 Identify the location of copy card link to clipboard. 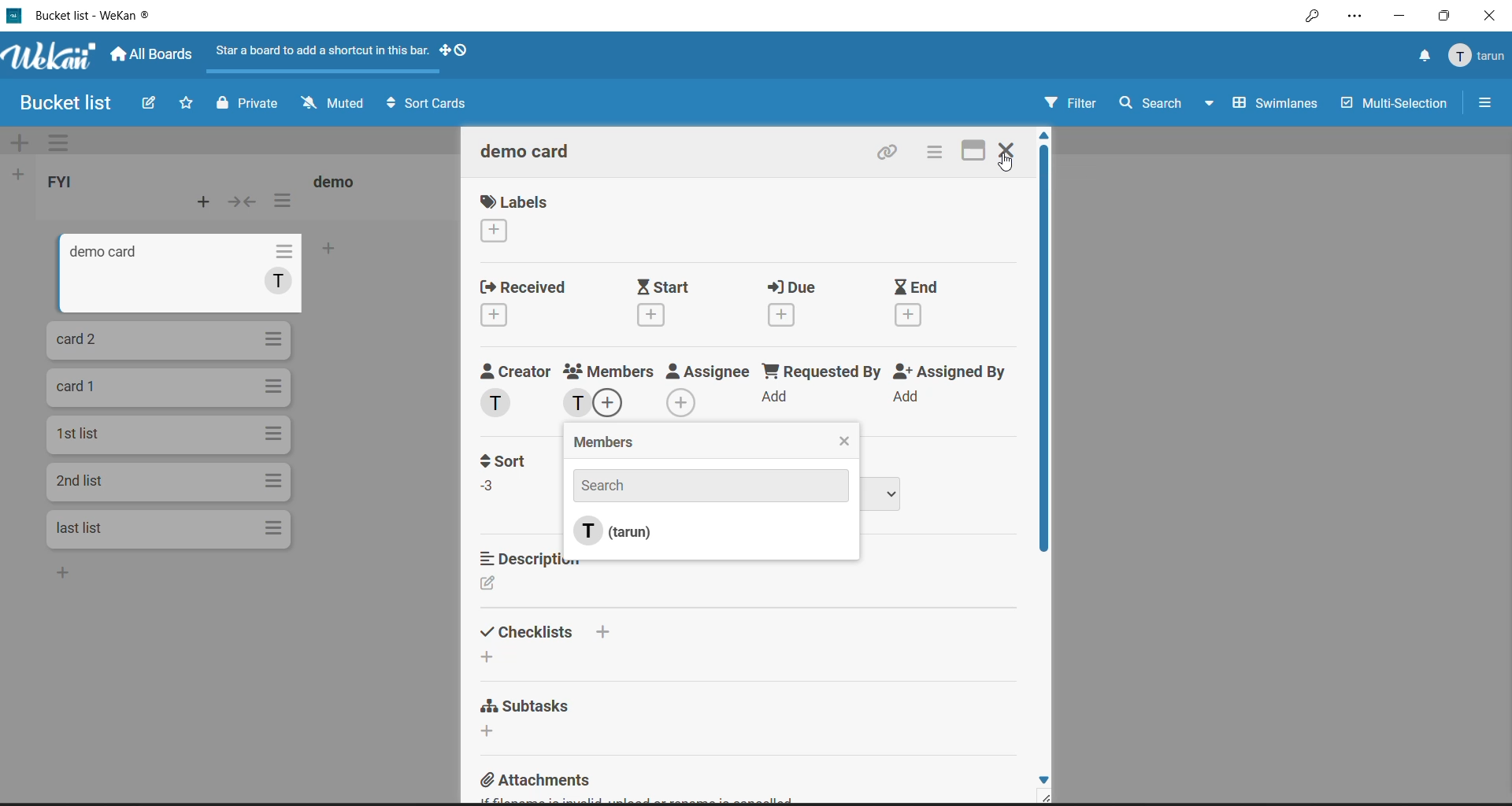
(891, 151).